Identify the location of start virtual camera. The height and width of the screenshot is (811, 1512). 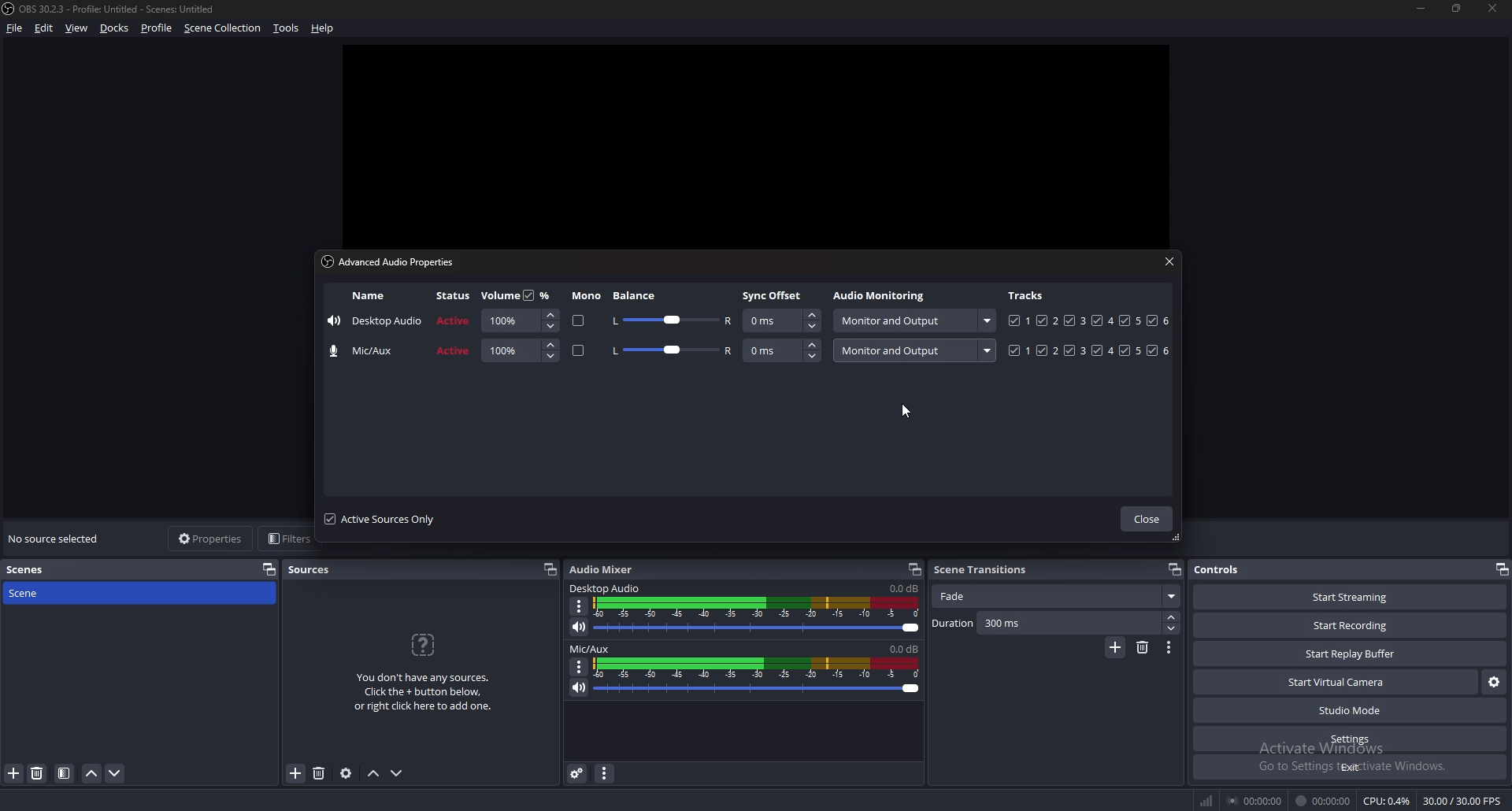
(1336, 683).